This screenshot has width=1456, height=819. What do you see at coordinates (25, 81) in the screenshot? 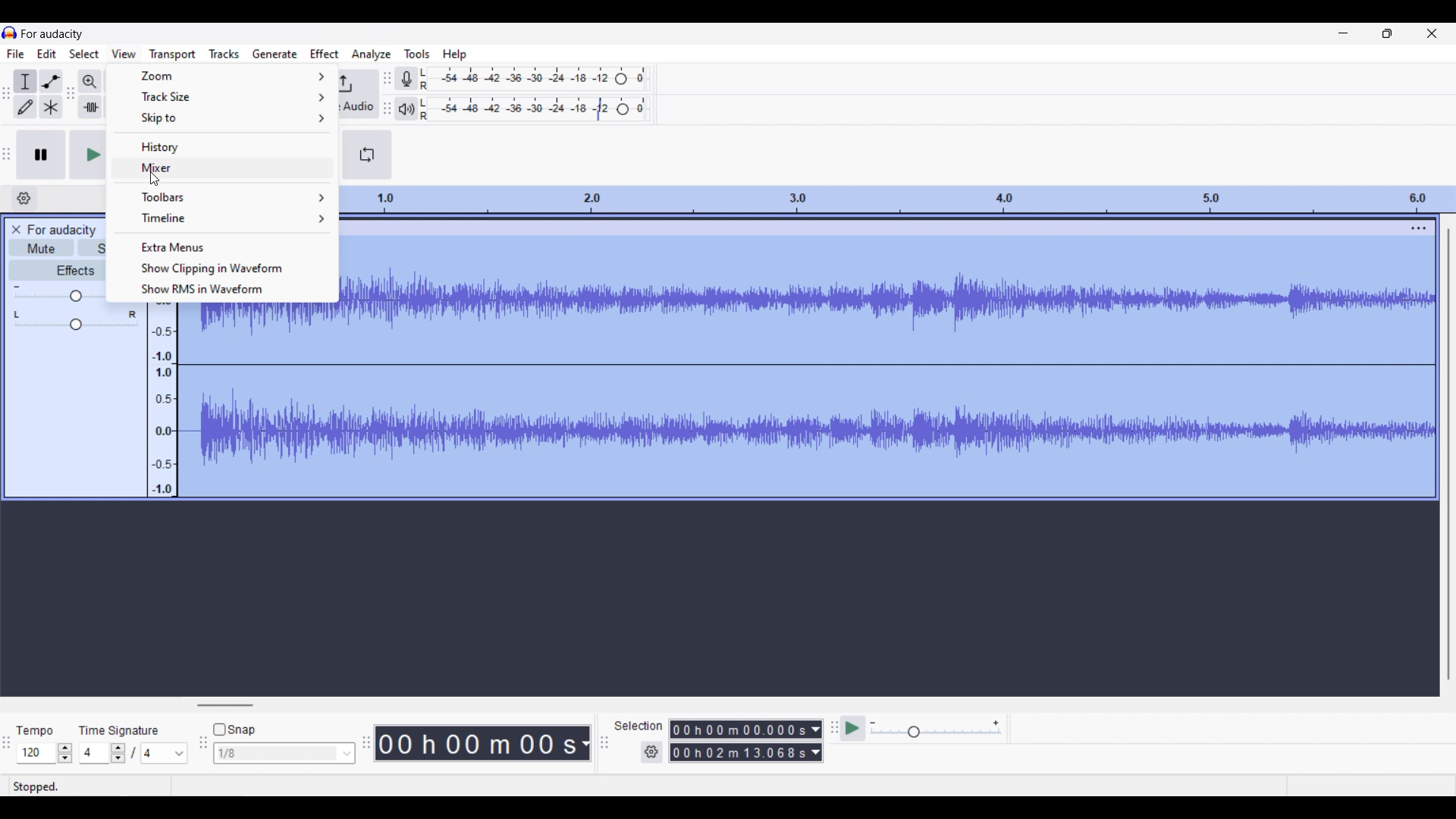
I see `Selection tool` at bounding box center [25, 81].